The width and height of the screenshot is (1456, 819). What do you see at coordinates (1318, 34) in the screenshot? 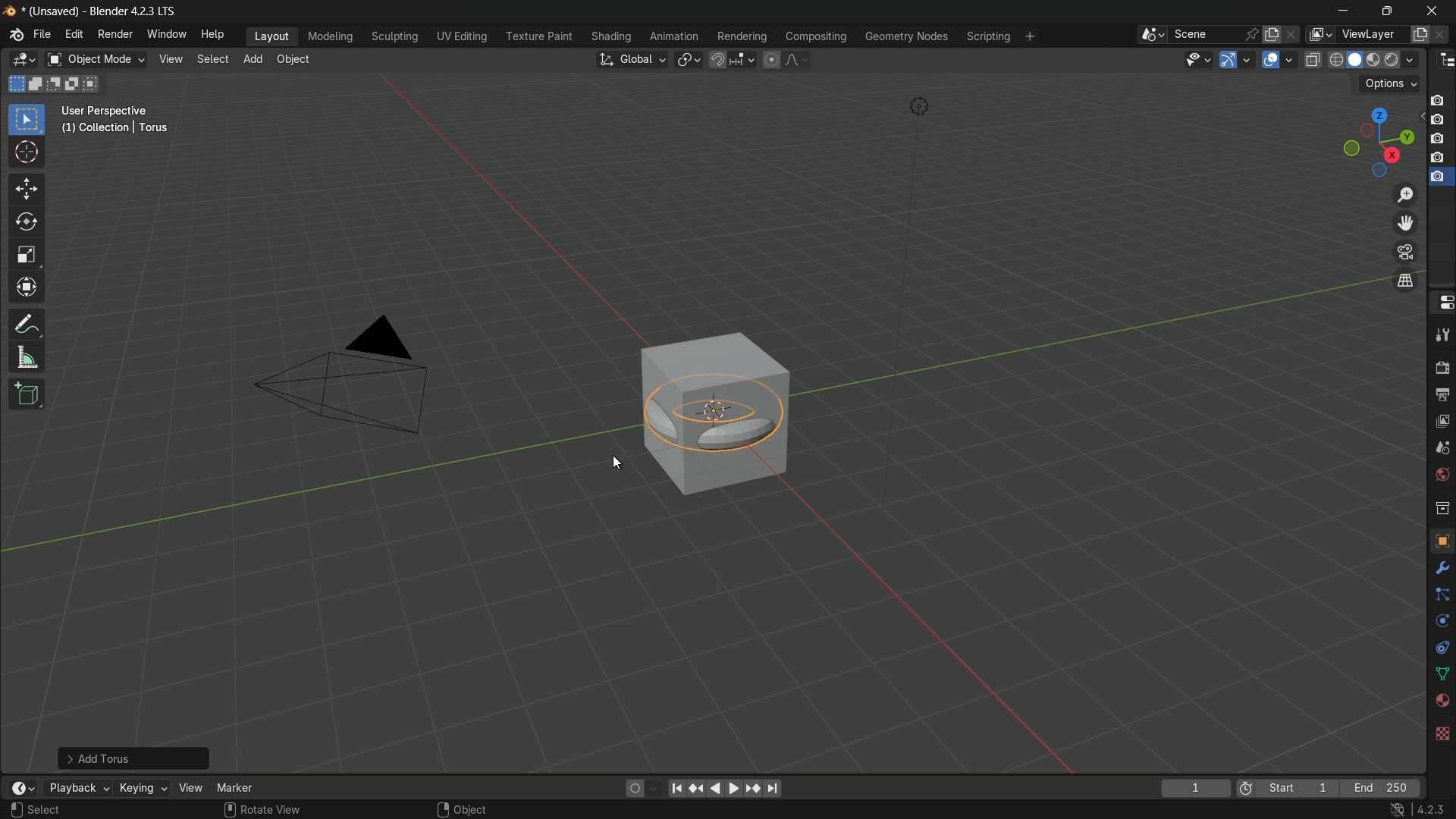
I see `view layer` at bounding box center [1318, 34].